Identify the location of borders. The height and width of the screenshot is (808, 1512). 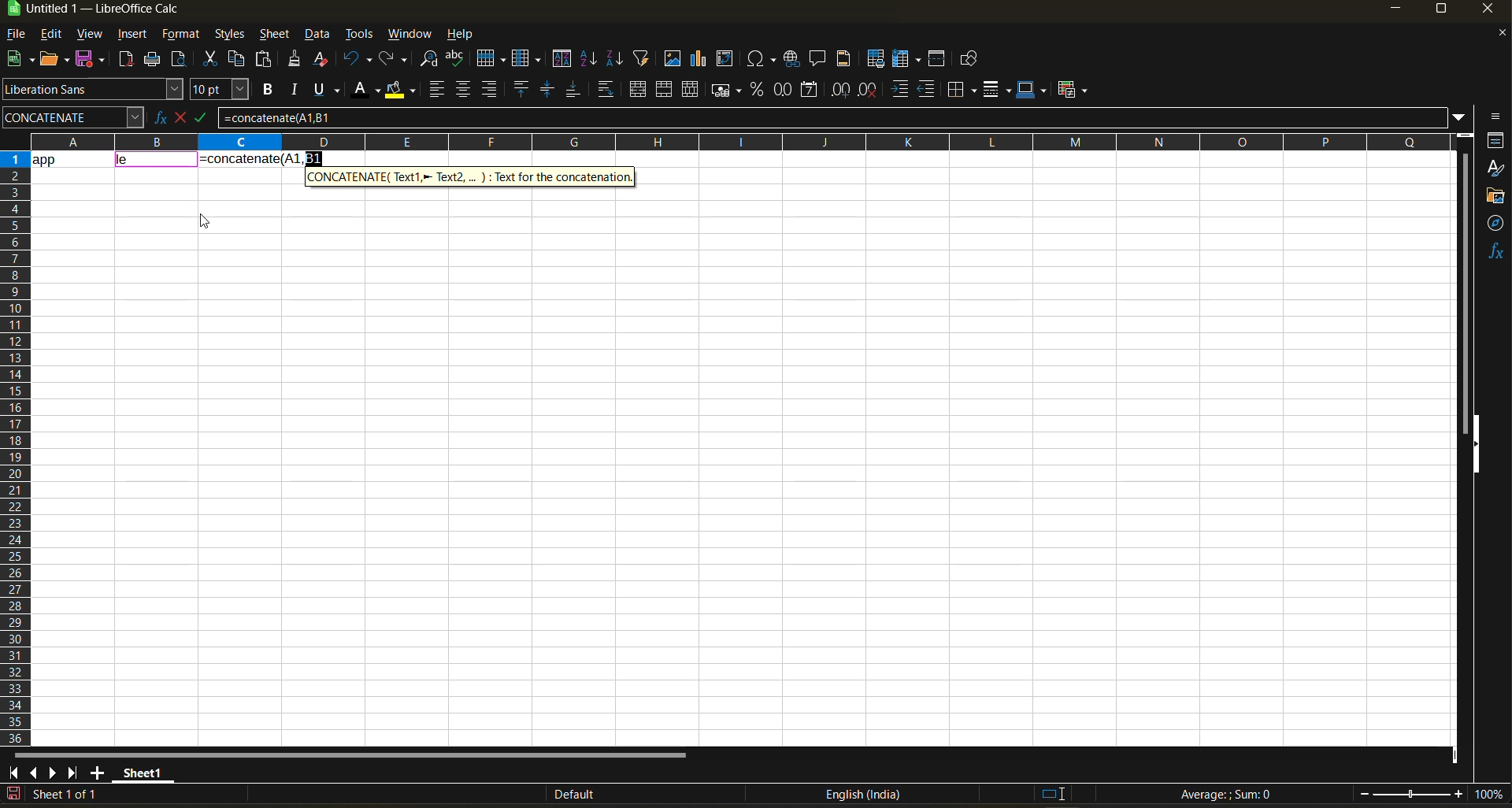
(962, 90).